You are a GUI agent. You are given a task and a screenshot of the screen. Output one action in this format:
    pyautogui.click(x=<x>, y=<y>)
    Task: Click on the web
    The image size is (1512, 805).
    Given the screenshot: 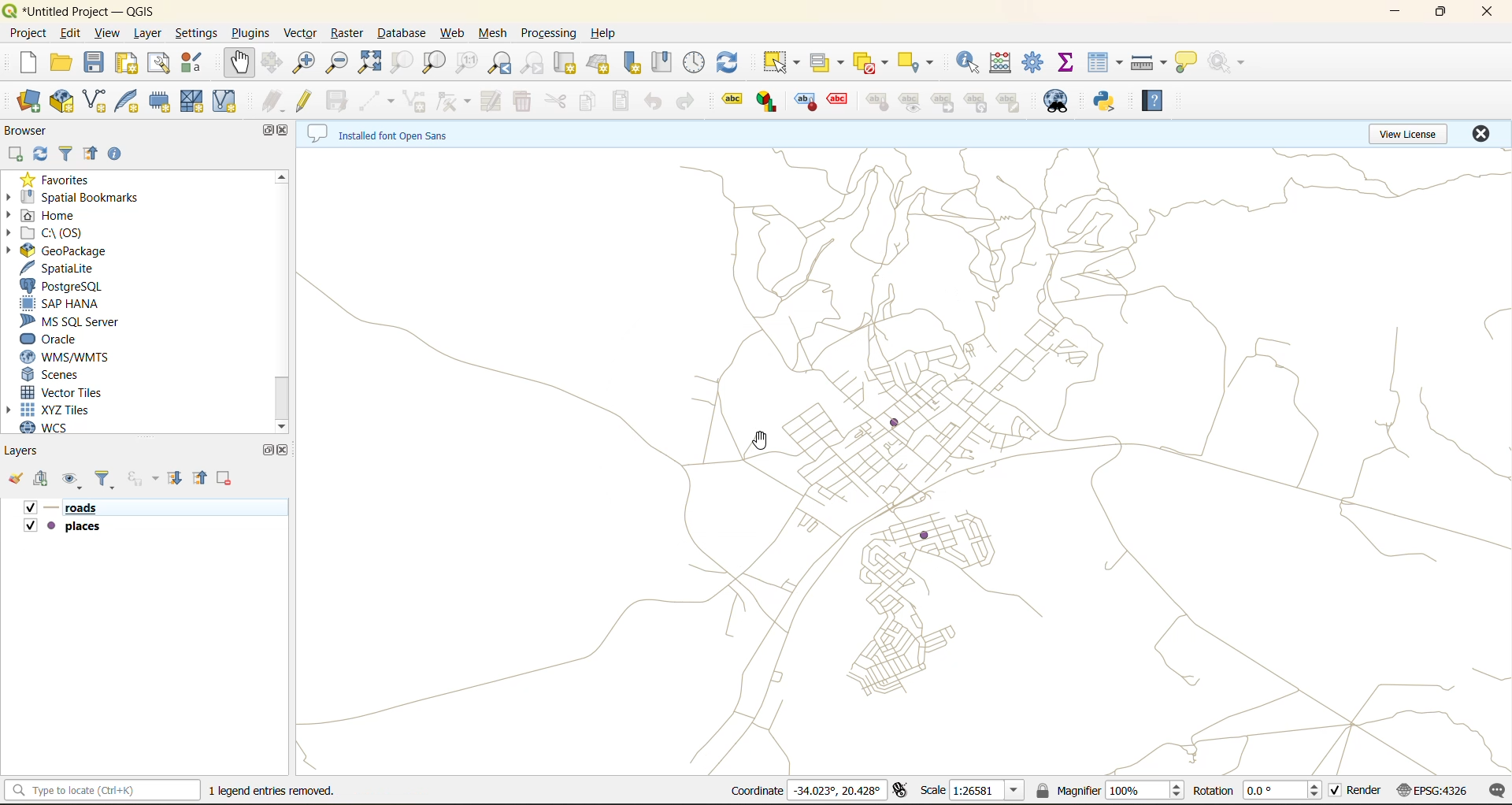 What is the action you would take?
    pyautogui.click(x=451, y=35)
    